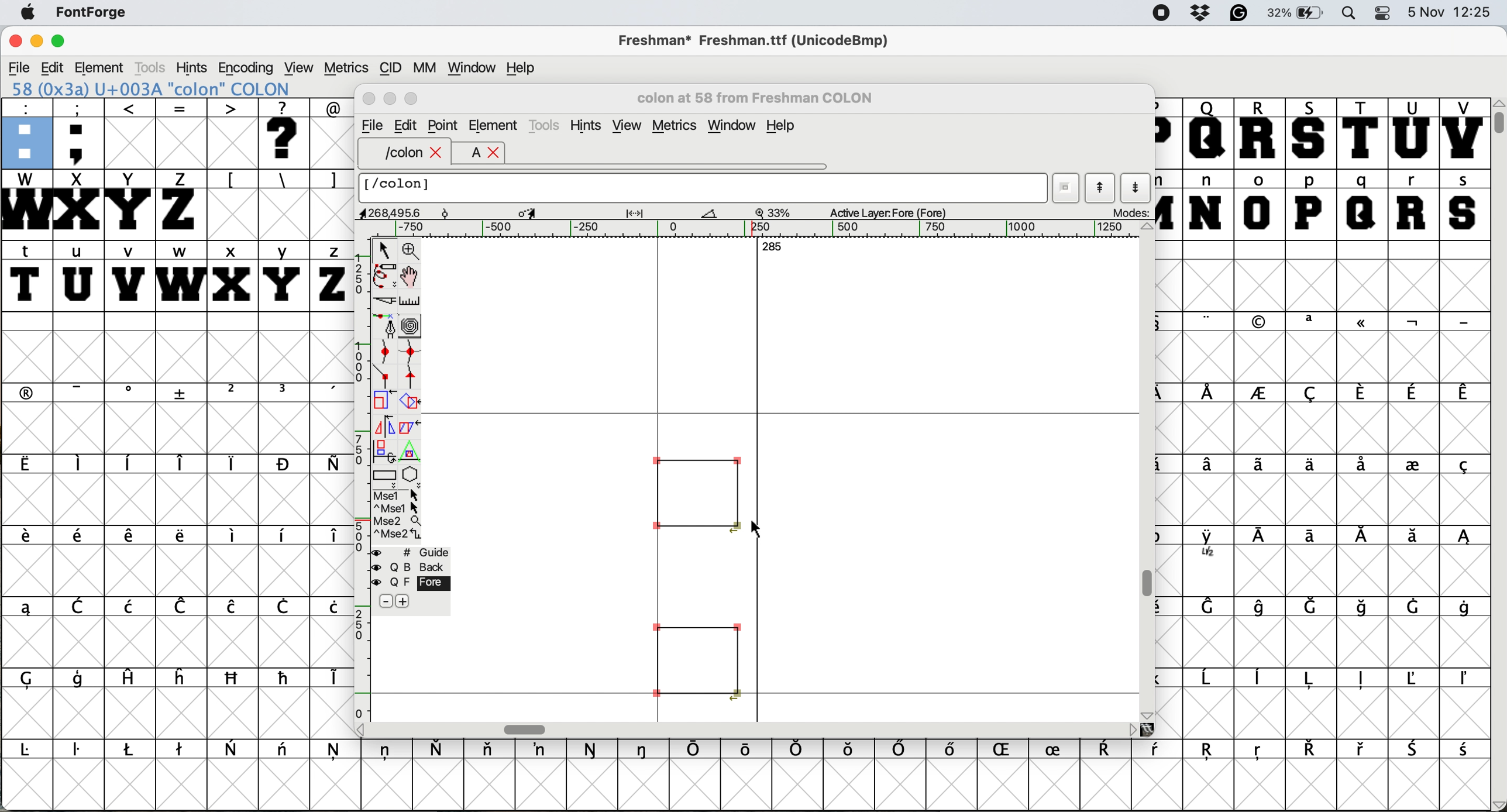 The image size is (1507, 812). What do you see at coordinates (52, 67) in the screenshot?
I see `edit` at bounding box center [52, 67].